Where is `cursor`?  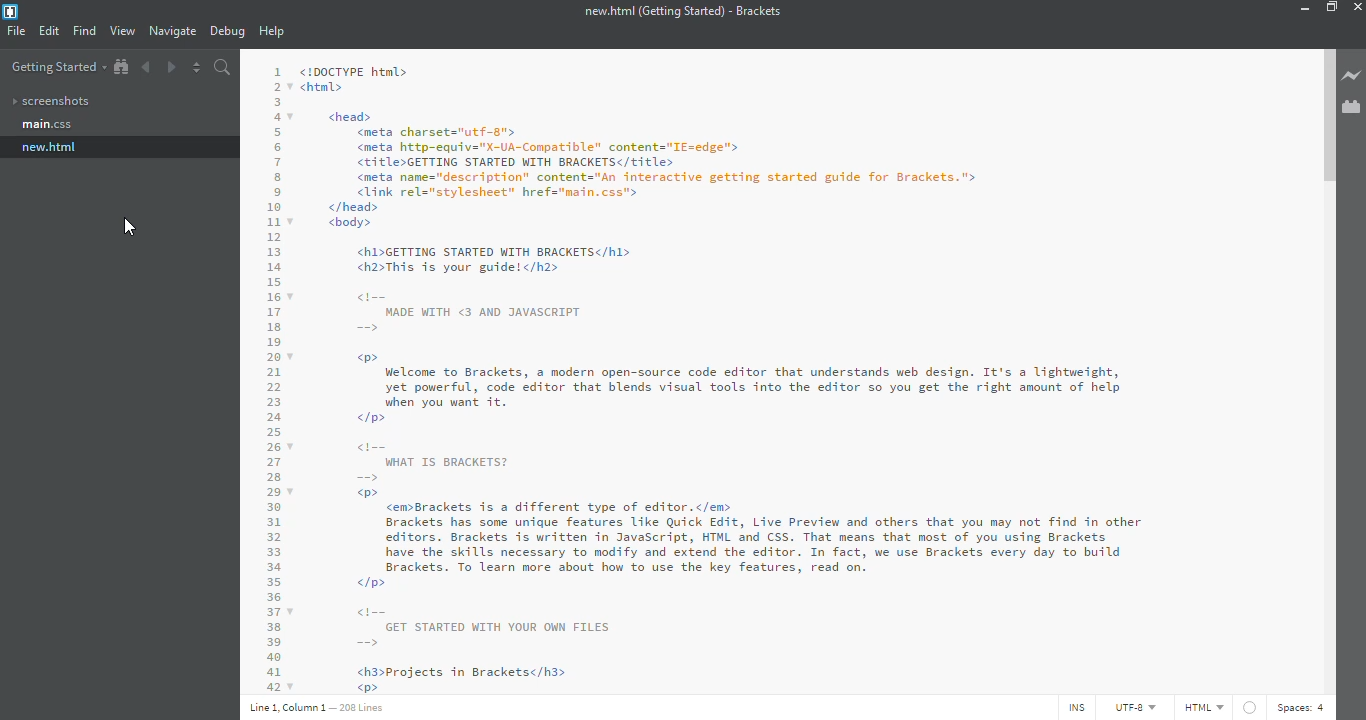 cursor is located at coordinates (137, 227).